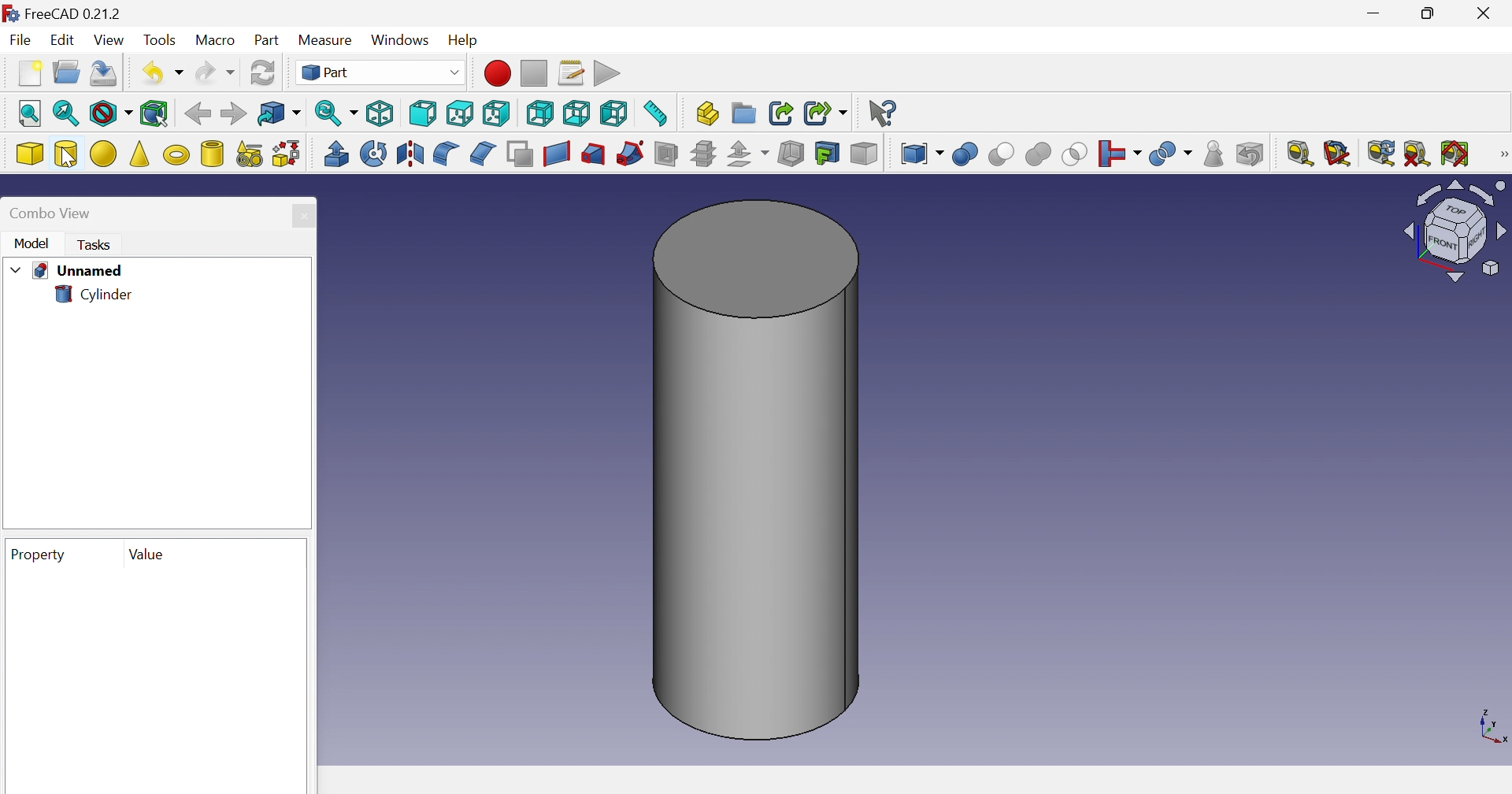 Image resolution: width=1512 pixels, height=794 pixels. Describe the element at coordinates (139, 153) in the screenshot. I see `Cone` at that location.